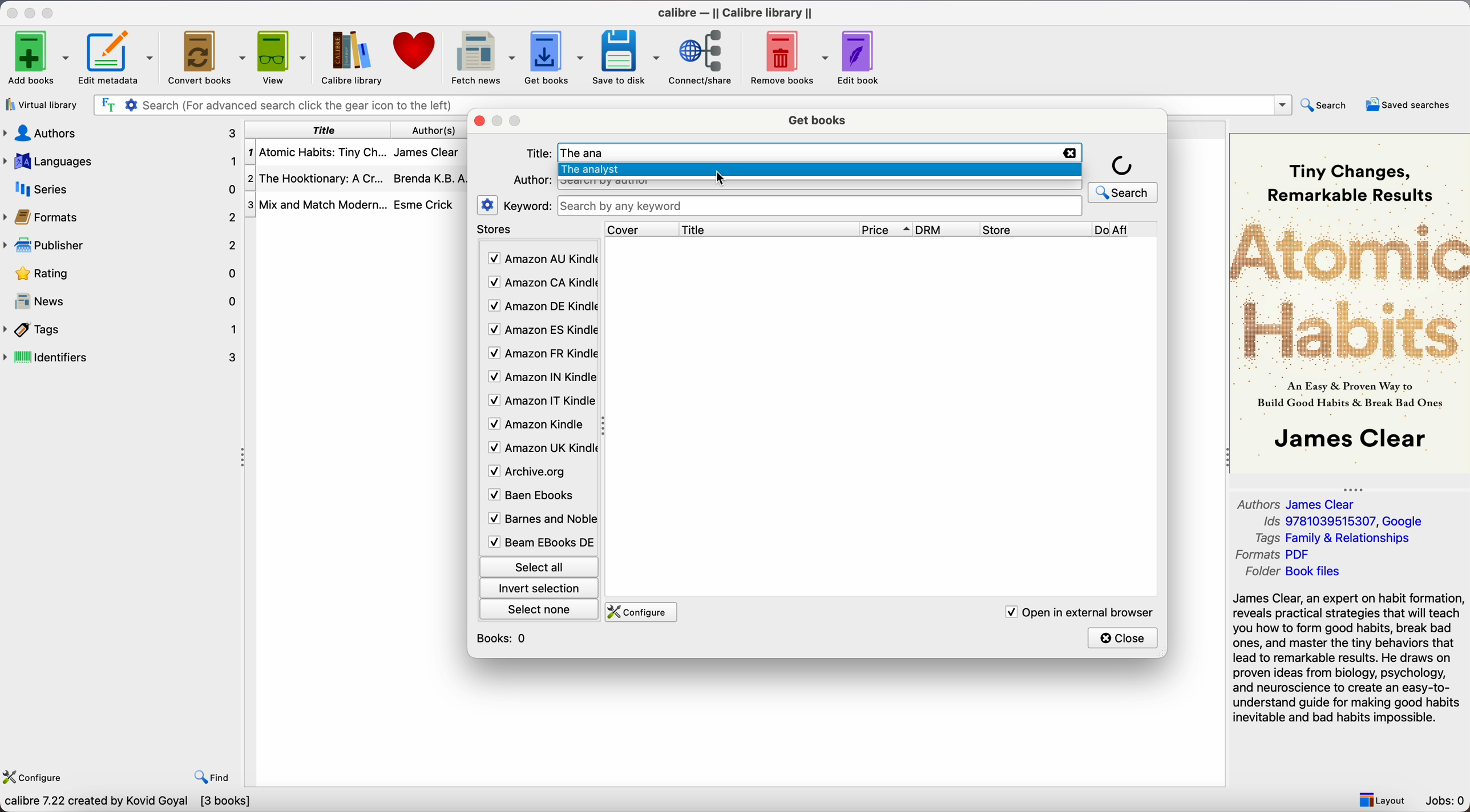 The width and height of the screenshot is (1470, 812). I want to click on price, so click(887, 230).